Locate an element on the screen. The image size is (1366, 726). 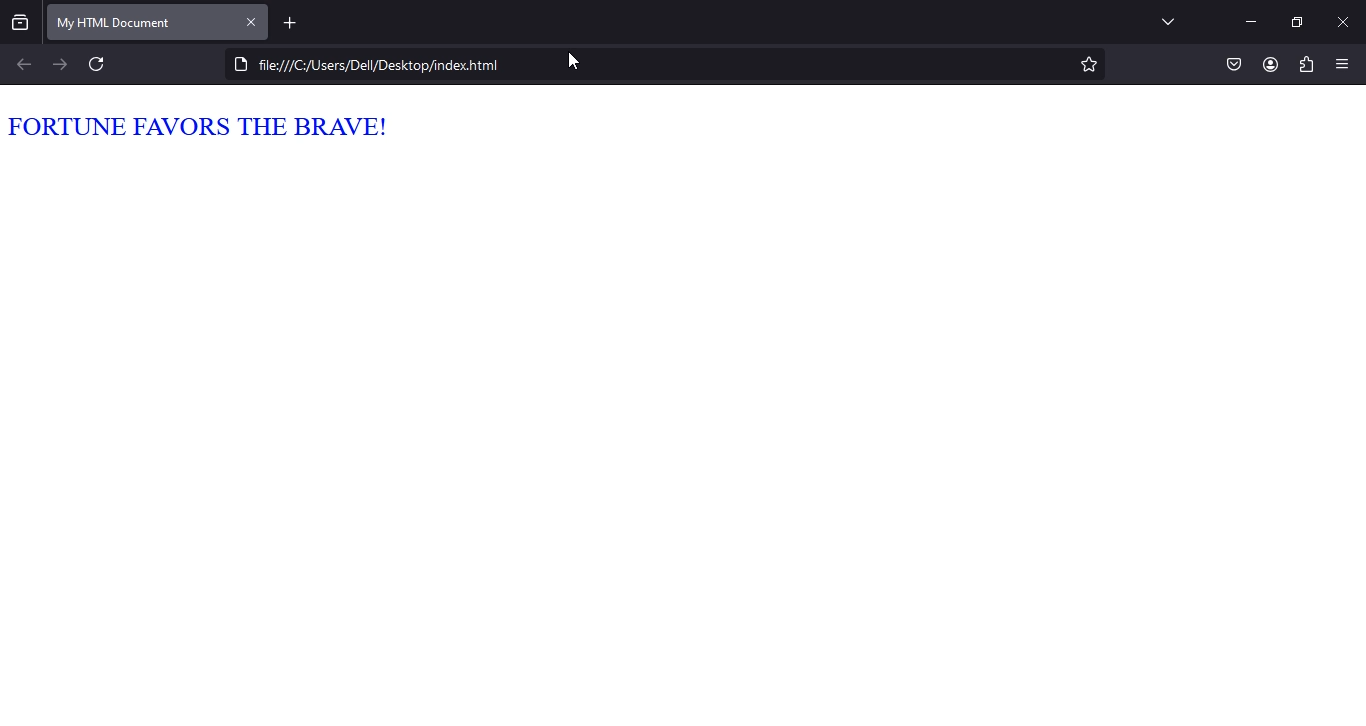
minimize is located at coordinates (1252, 21).